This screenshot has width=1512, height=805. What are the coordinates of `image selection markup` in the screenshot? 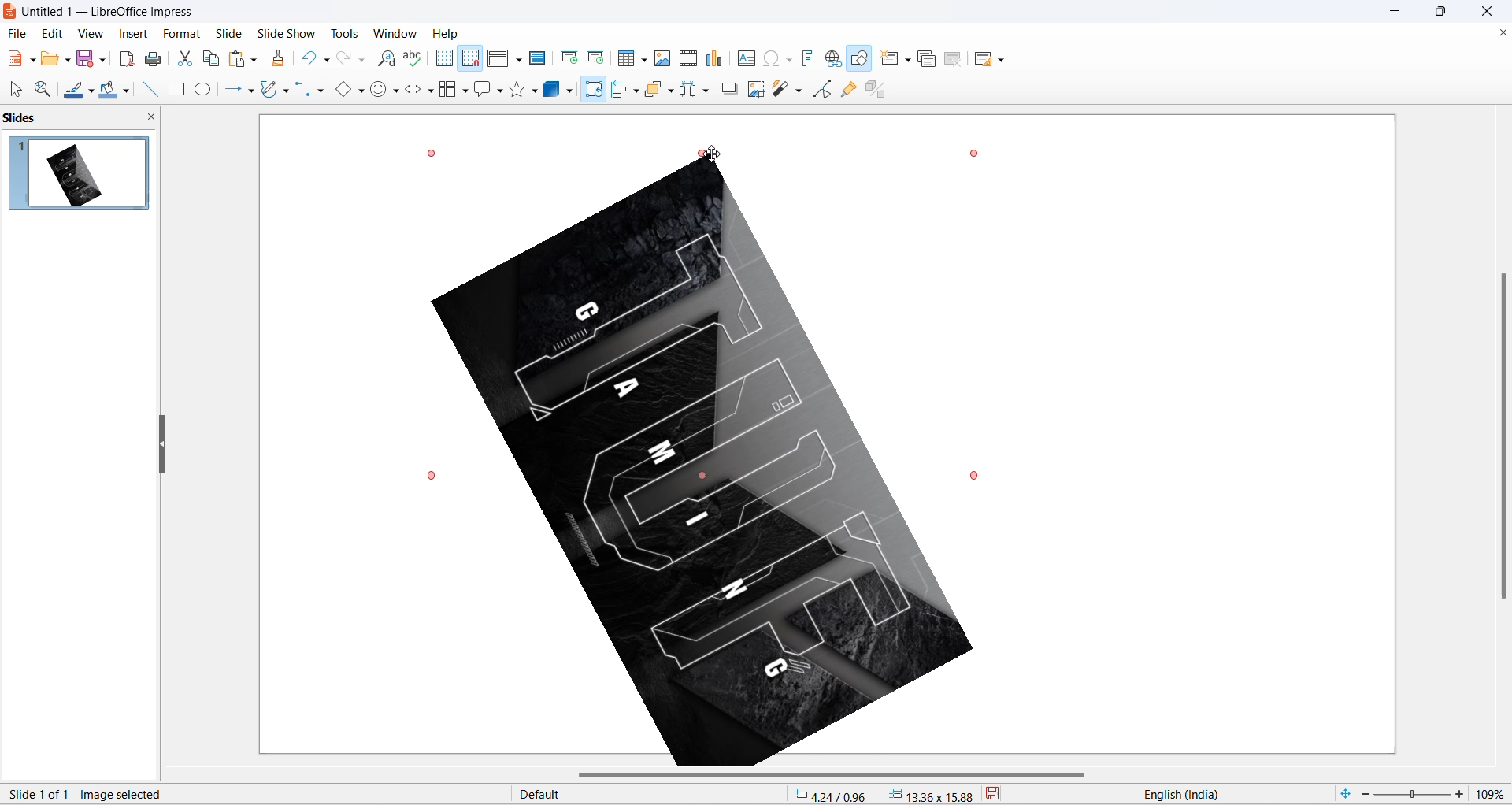 It's located at (712, 155).